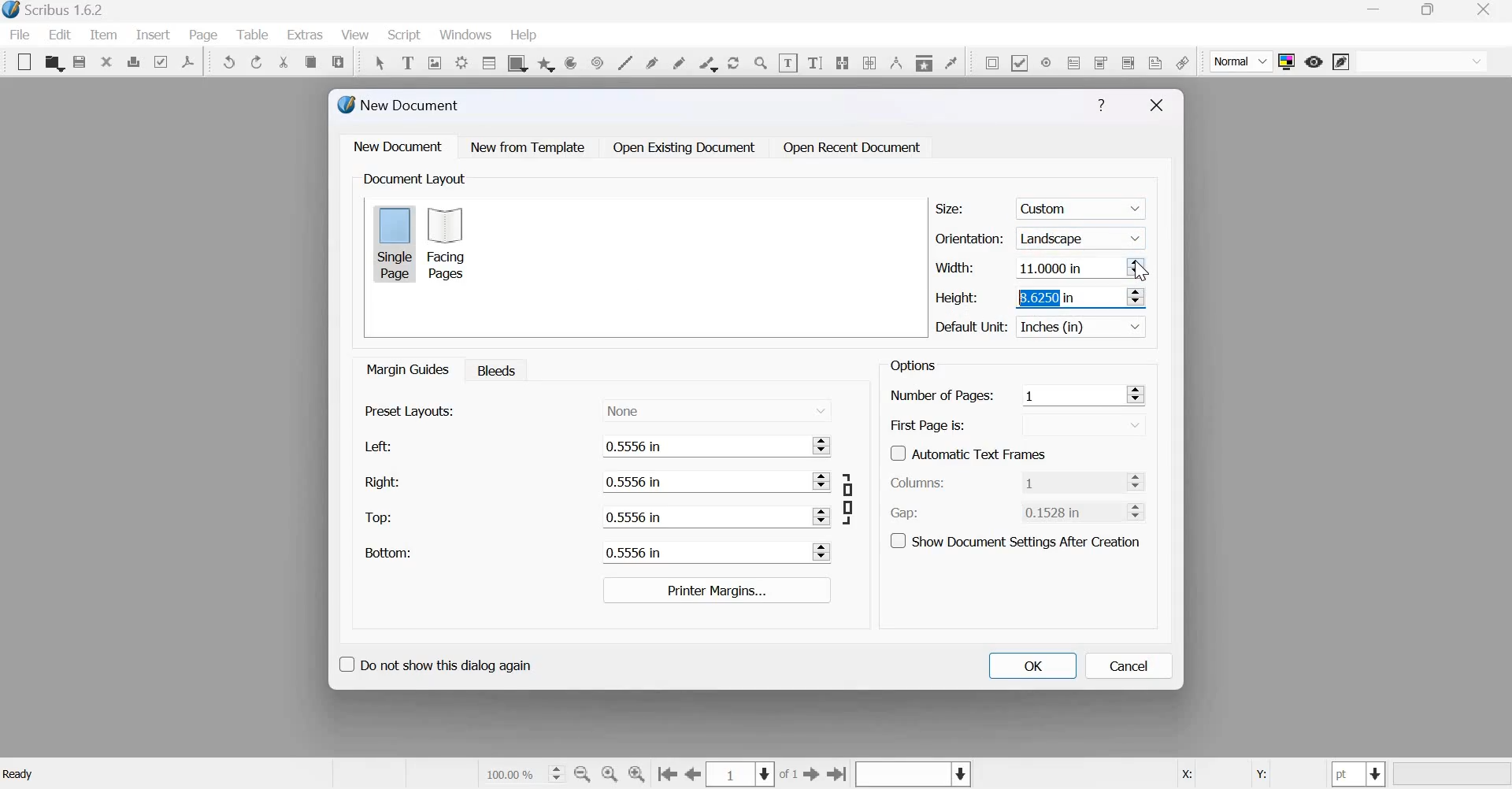 Image resolution: width=1512 pixels, height=789 pixels. I want to click on View, so click(357, 35).